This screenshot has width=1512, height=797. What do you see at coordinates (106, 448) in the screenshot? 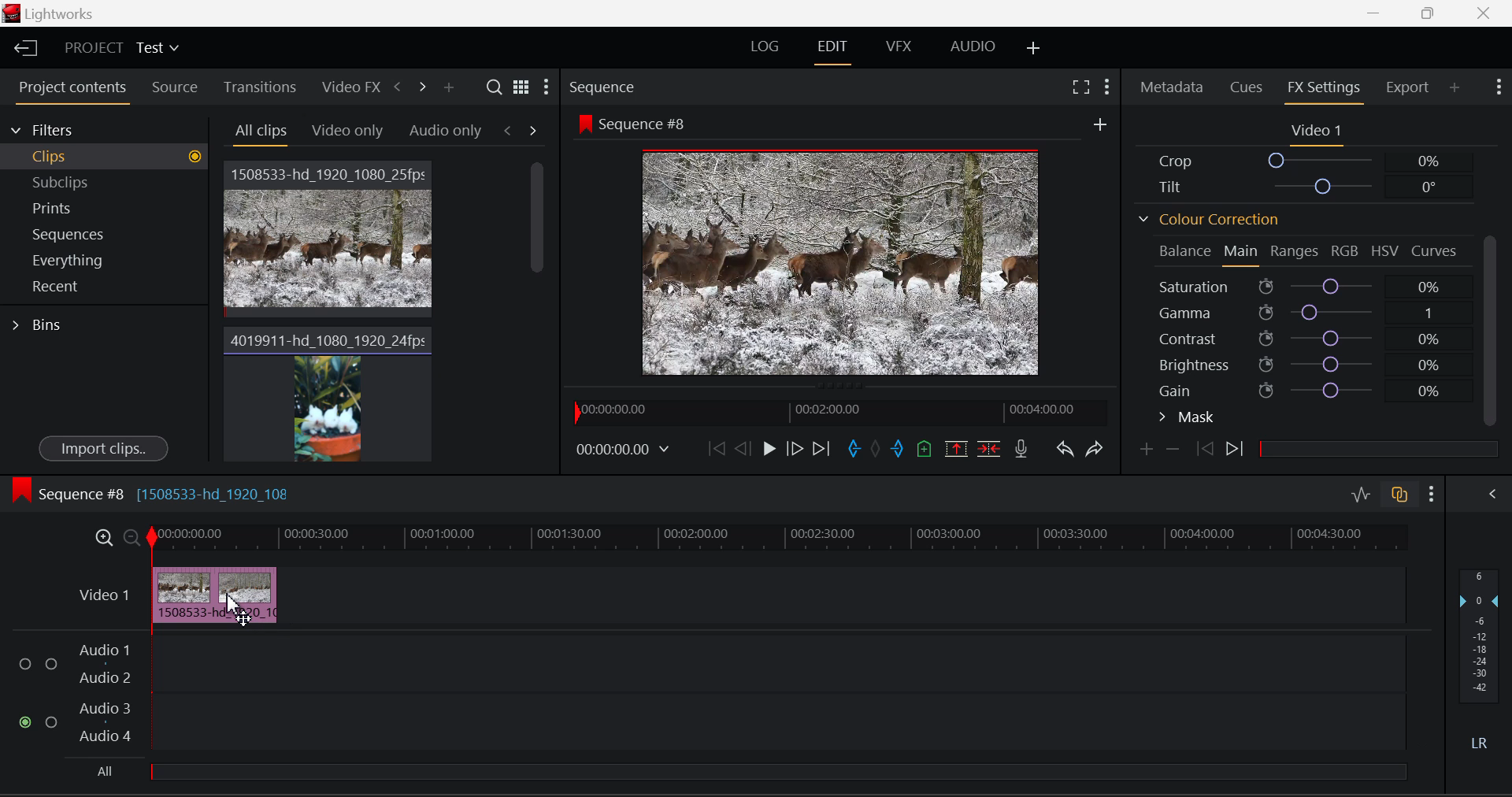
I see `Import Clips` at bounding box center [106, 448].